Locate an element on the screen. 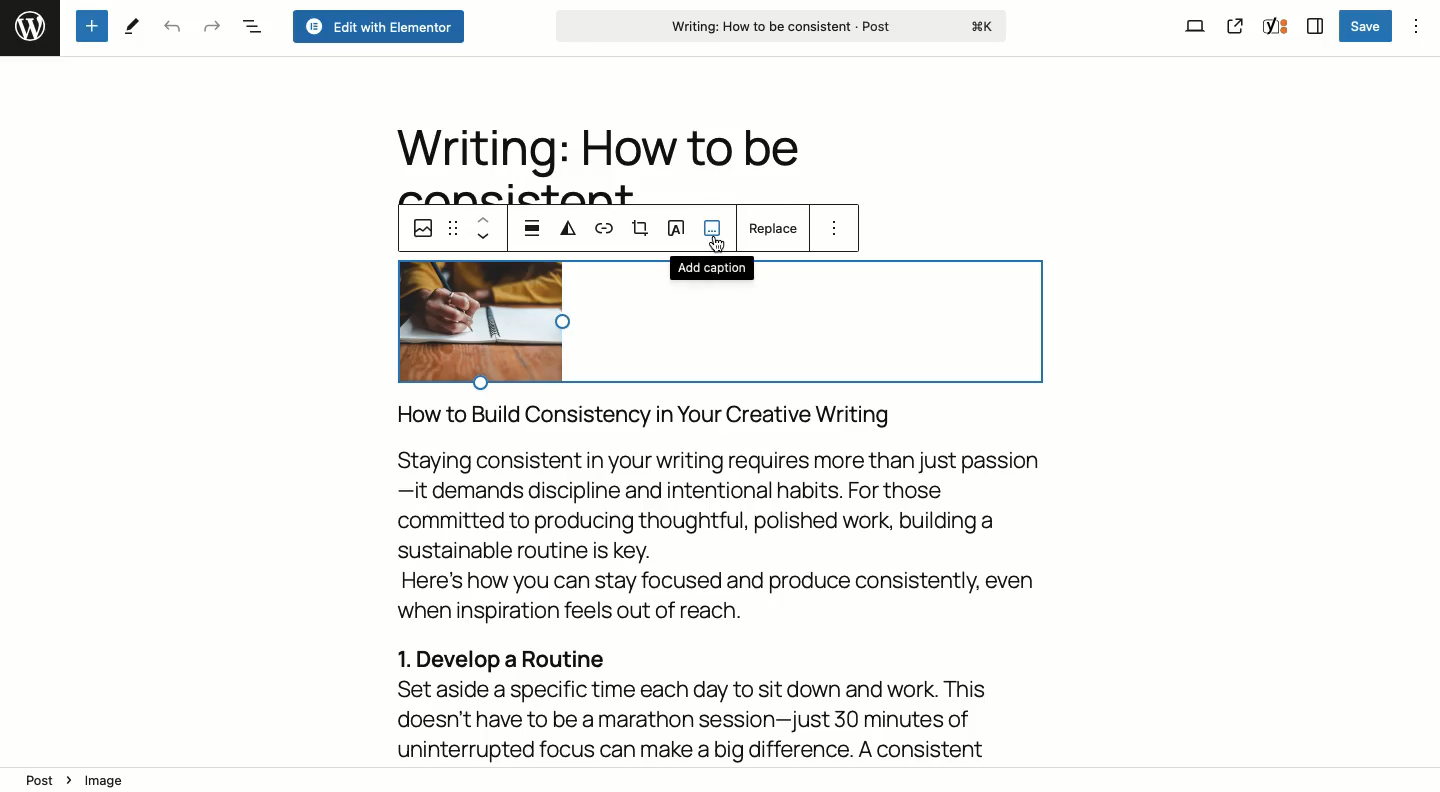  cursor is located at coordinates (717, 240).